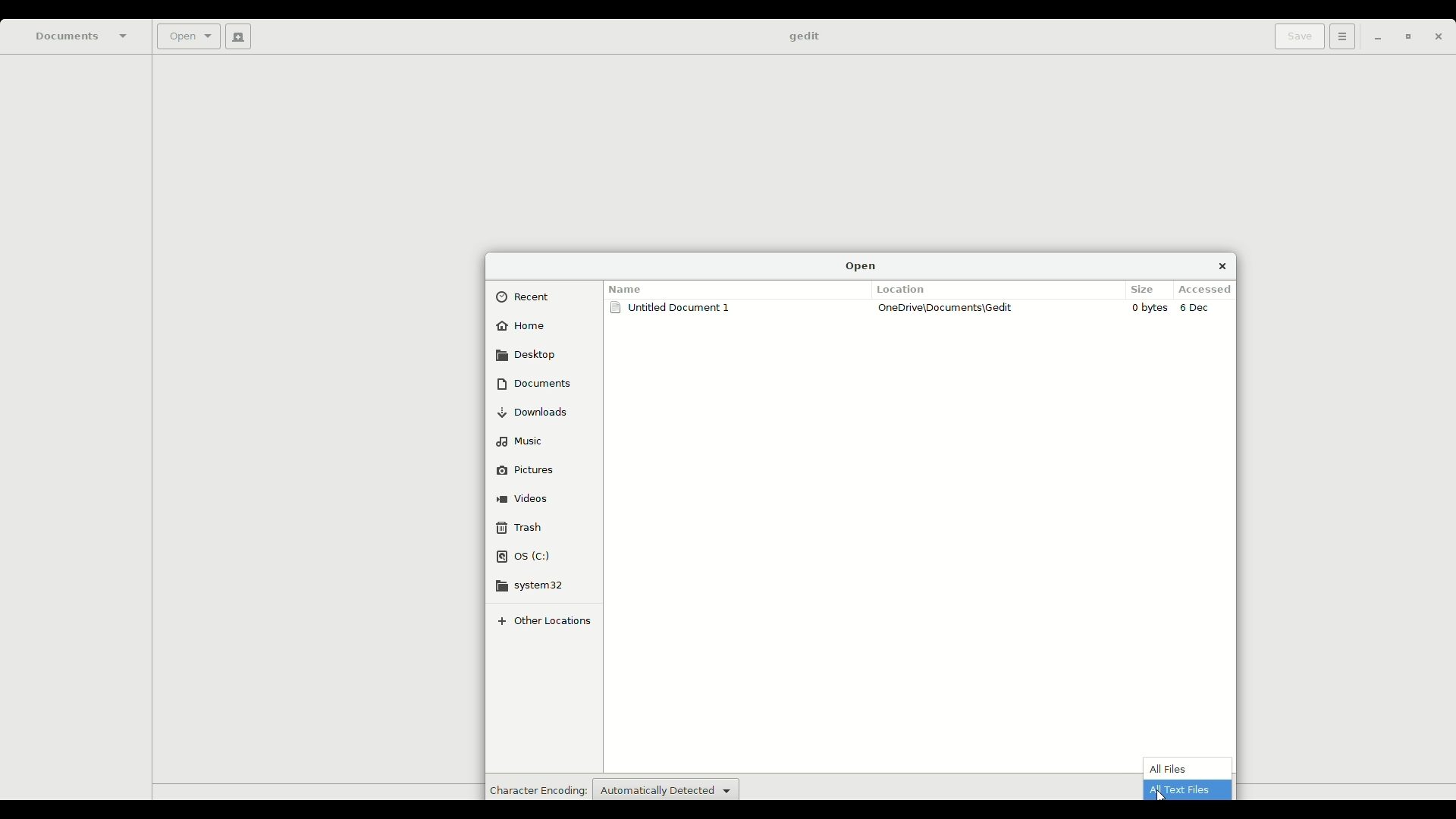 This screenshot has height=819, width=1456. What do you see at coordinates (1175, 768) in the screenshot?
I see `All files` at bounding box center [1175, 768].